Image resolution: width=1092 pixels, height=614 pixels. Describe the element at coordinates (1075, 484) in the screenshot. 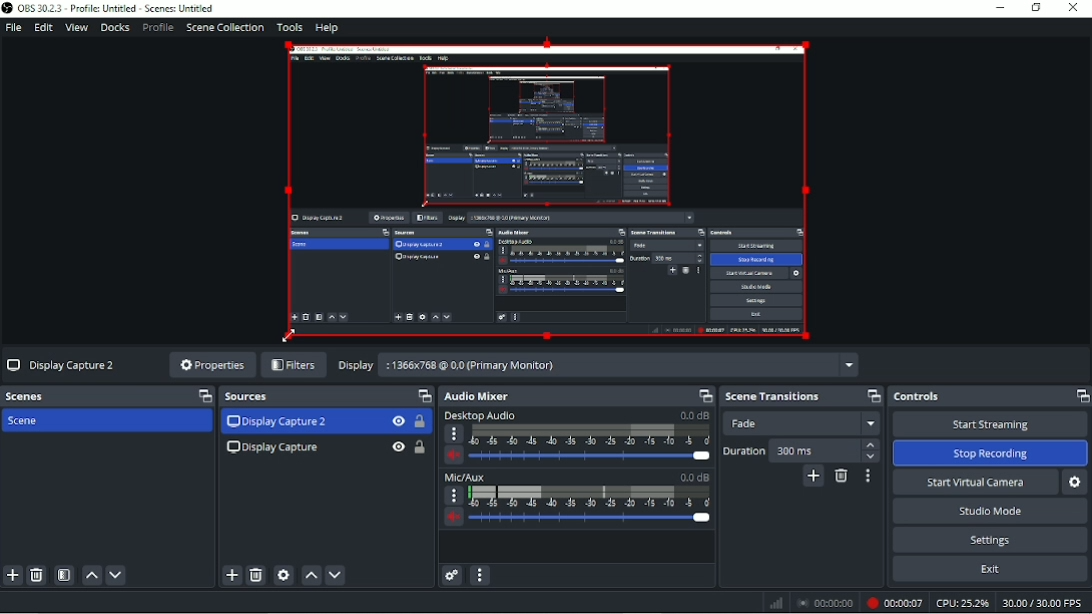

I see `Configure virtual camera` at that location.